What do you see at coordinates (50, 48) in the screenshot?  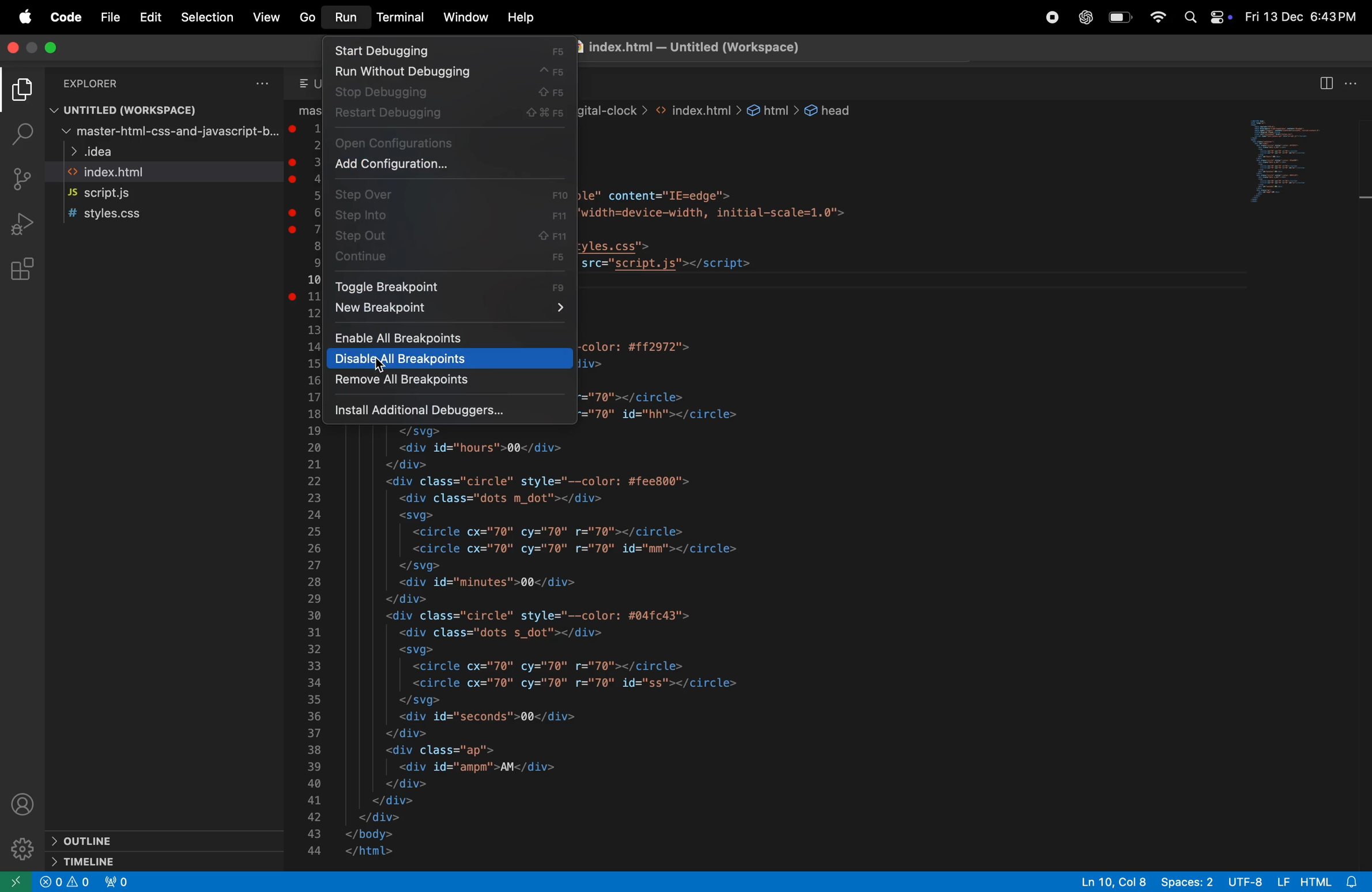 I see `maximize` at bounding box center [50, 48].